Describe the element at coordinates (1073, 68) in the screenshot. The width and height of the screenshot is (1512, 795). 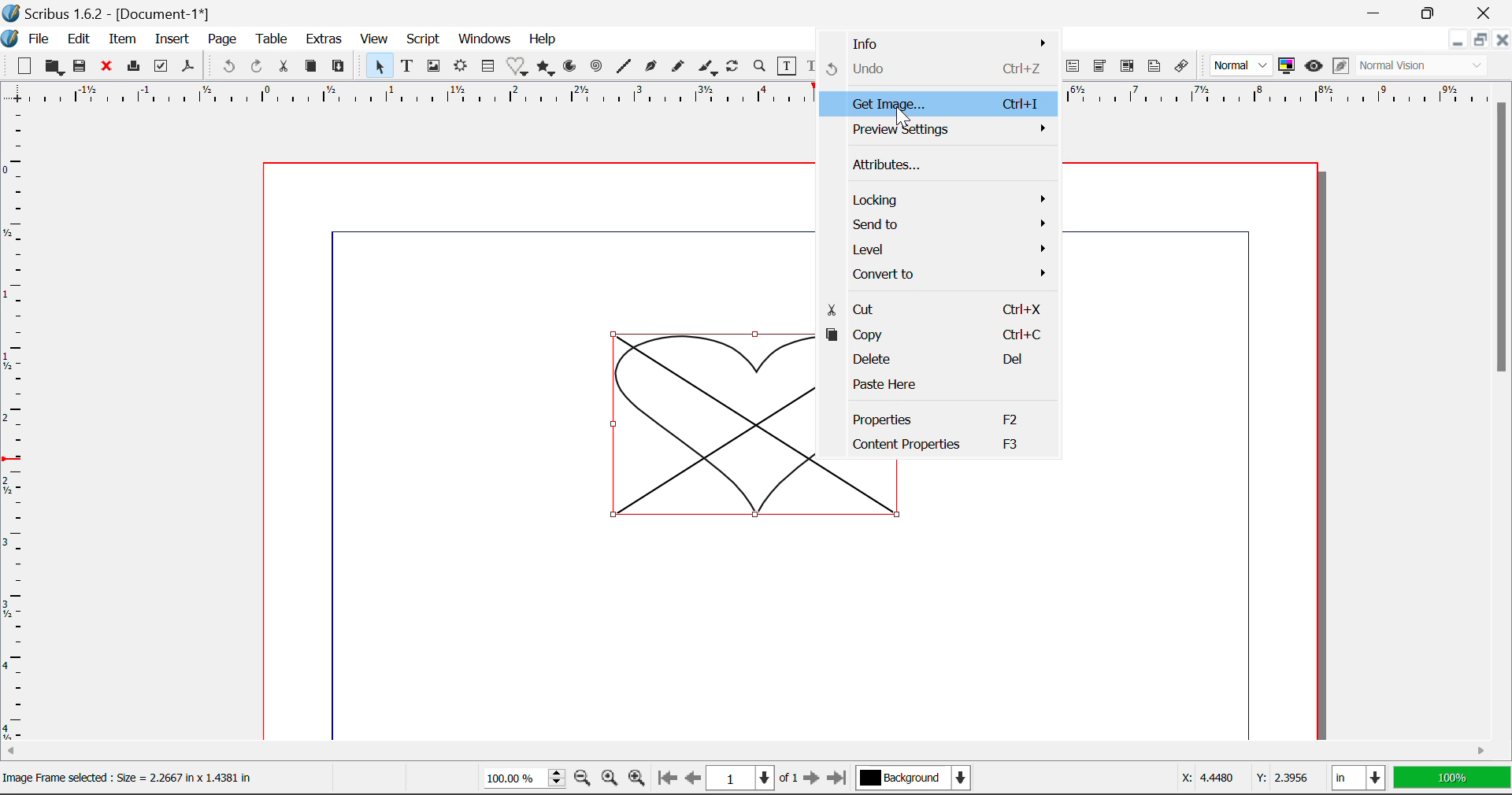
I see `Pdf Text Field` at that location.